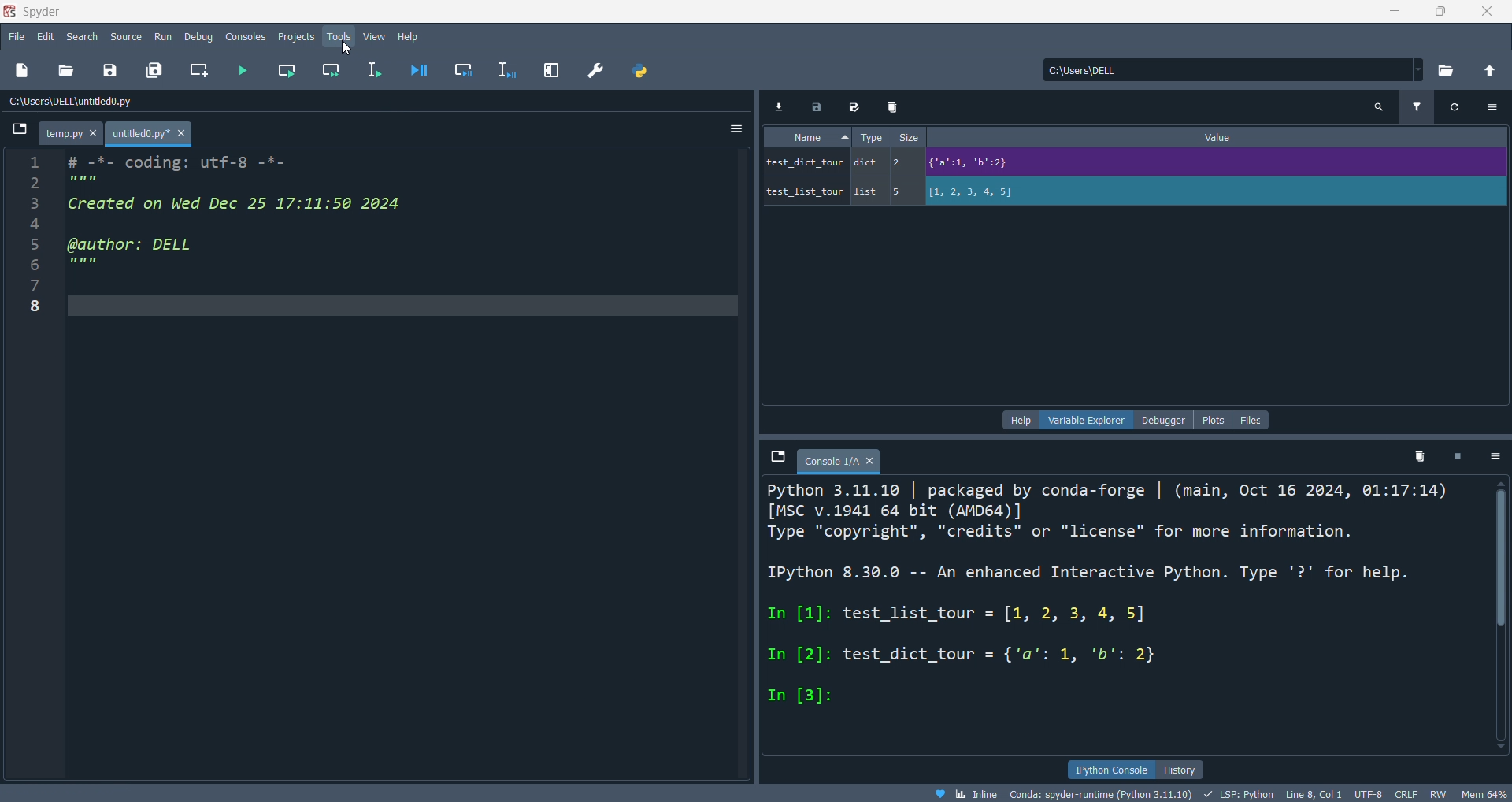 The height and width of the screenshot is (802, 1512). I want to click on scrollbar, so click(1498, 619).